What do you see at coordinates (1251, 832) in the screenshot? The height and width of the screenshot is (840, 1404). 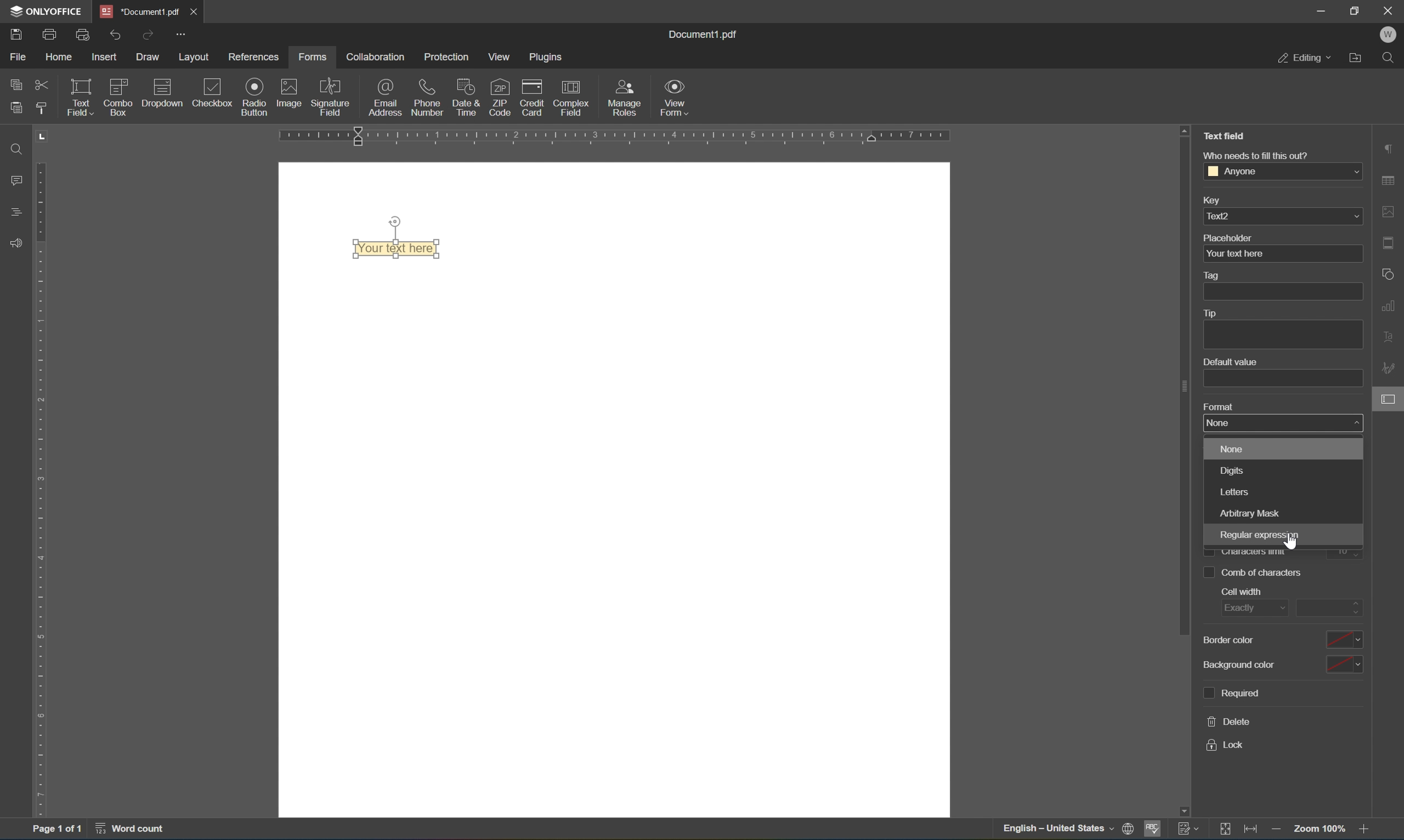 I see `fit to width` at bounding box center [1251, 832].